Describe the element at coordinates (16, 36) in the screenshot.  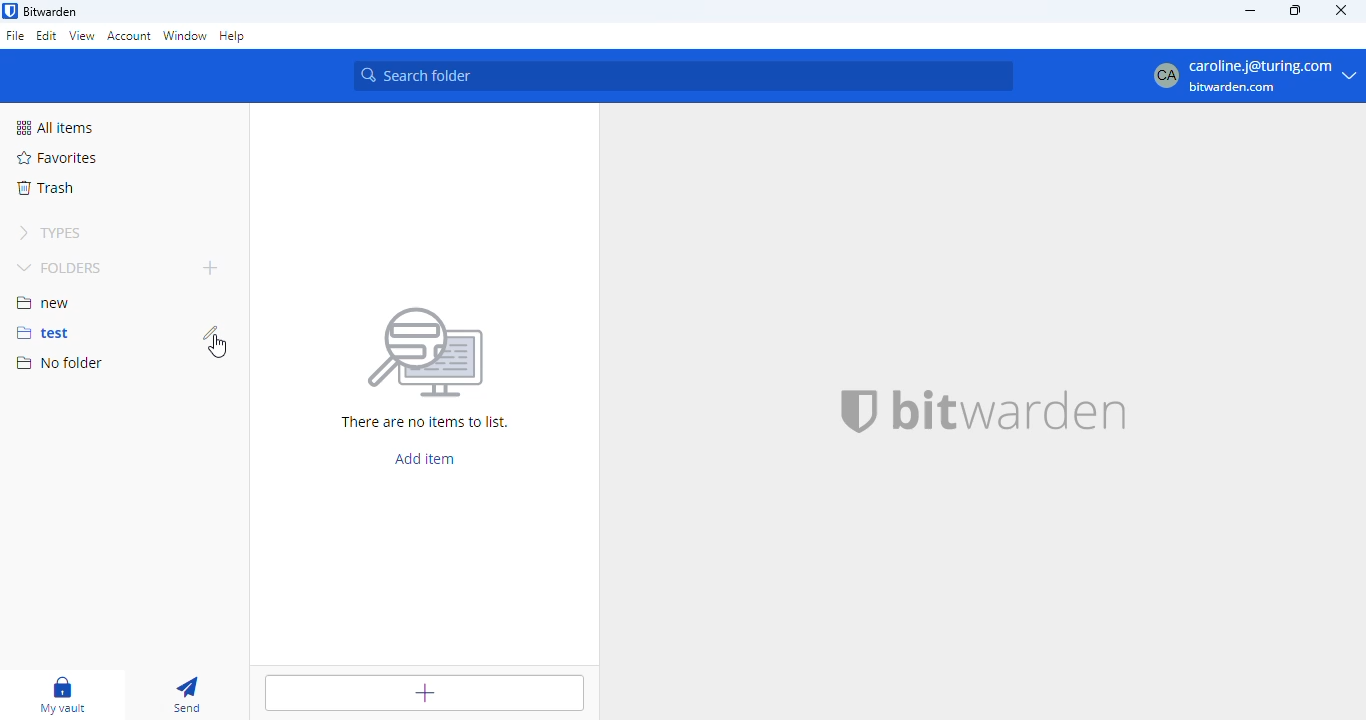
I see `file` at that location.